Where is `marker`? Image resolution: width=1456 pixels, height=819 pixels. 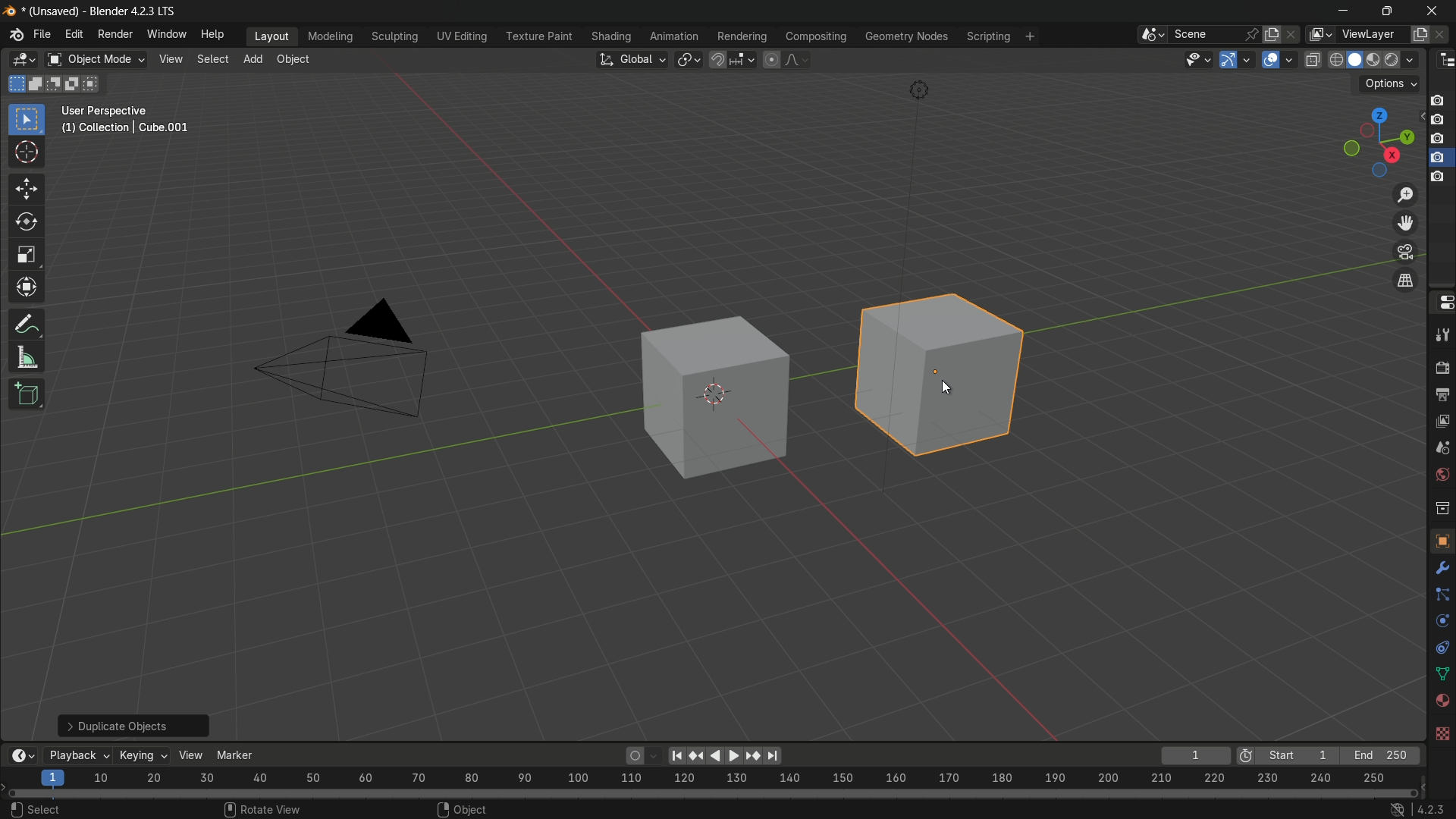 marker is located at coordinates (243, 754).